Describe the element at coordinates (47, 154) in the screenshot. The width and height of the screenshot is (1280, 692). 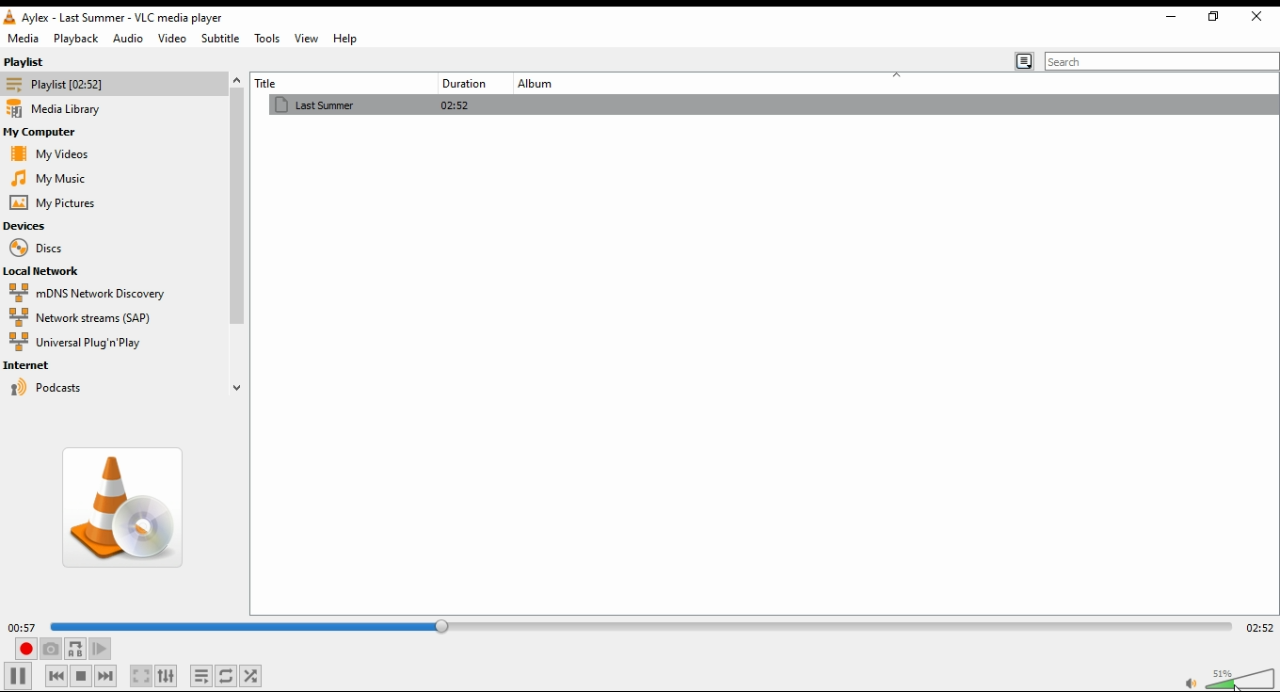
I see `my videos` at that location.